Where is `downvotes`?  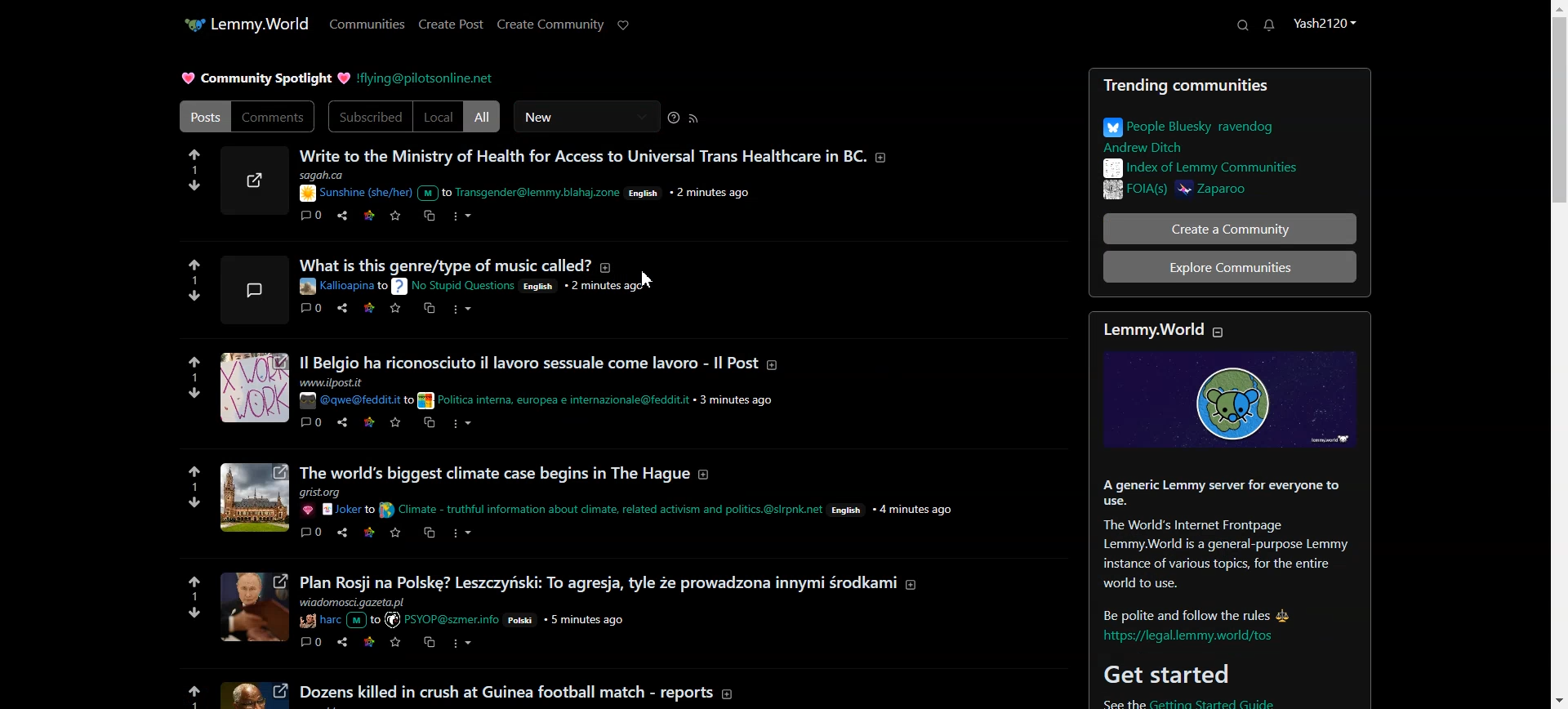 downvotes is located at coordinates (196, 395).